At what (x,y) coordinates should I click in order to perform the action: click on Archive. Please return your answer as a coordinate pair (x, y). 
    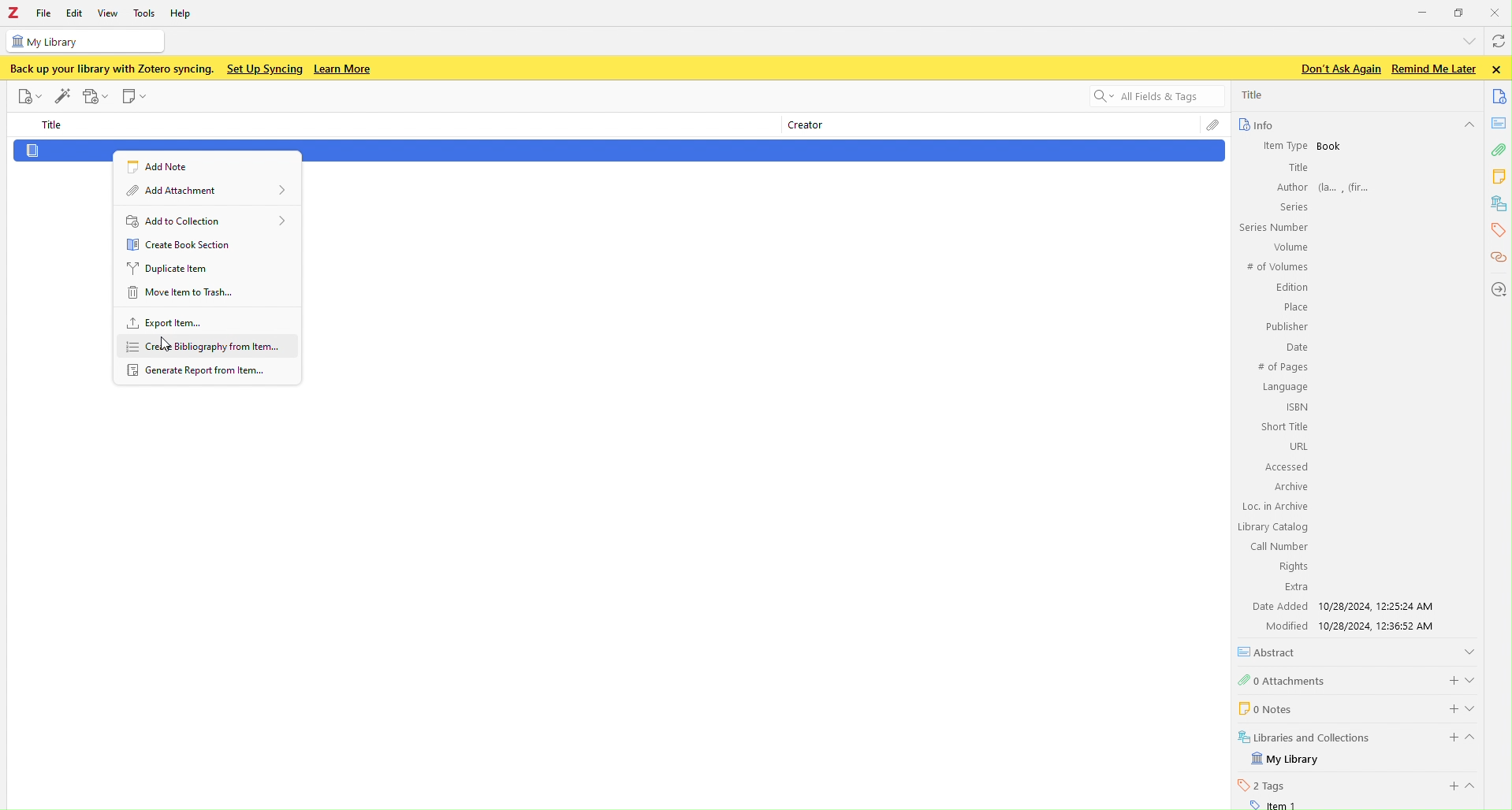
    Looking at the image, I should click on (1289, 486).